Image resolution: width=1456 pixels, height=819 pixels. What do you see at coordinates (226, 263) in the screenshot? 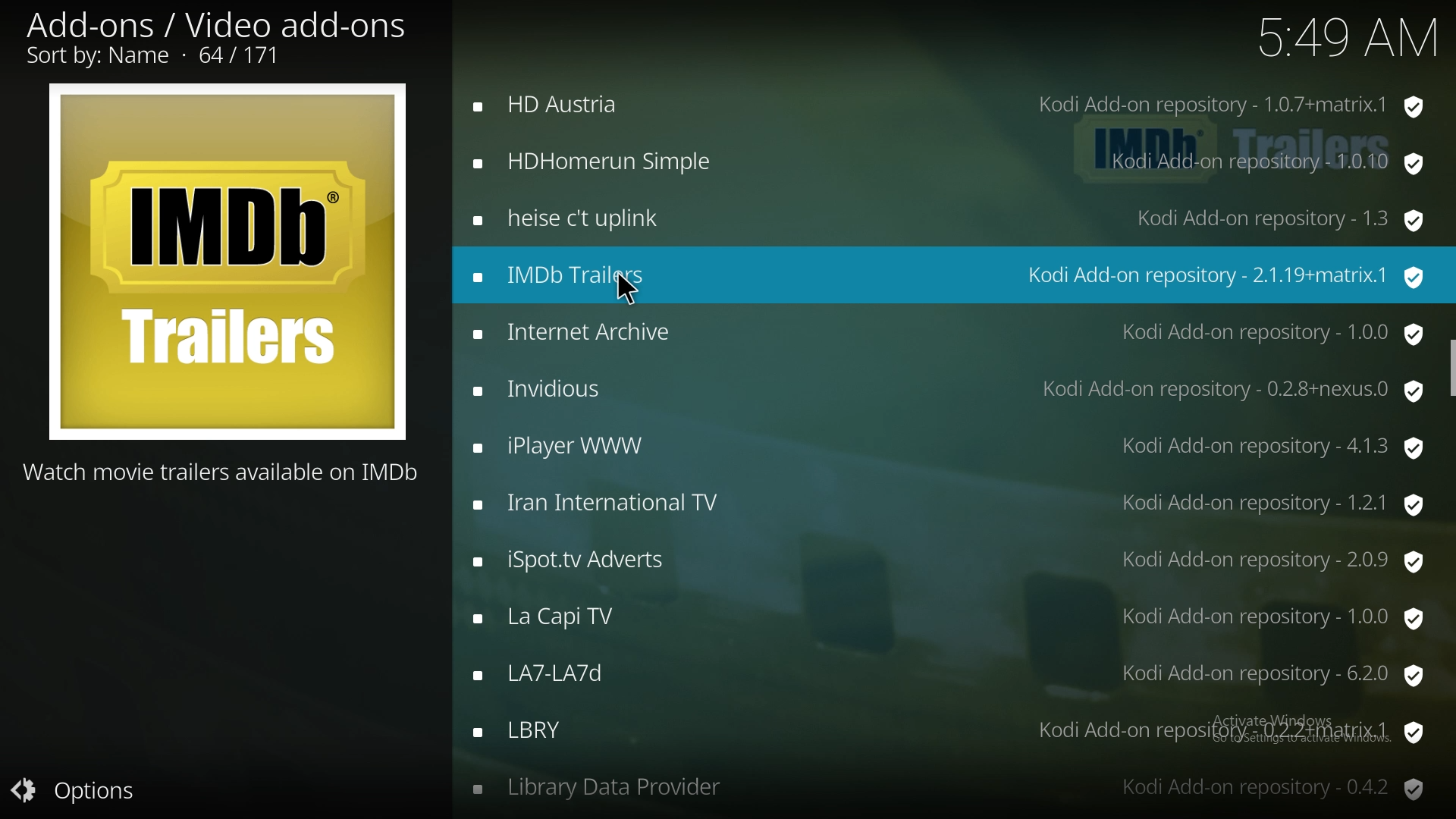
I see `icon` at bounding box center [226, 263].